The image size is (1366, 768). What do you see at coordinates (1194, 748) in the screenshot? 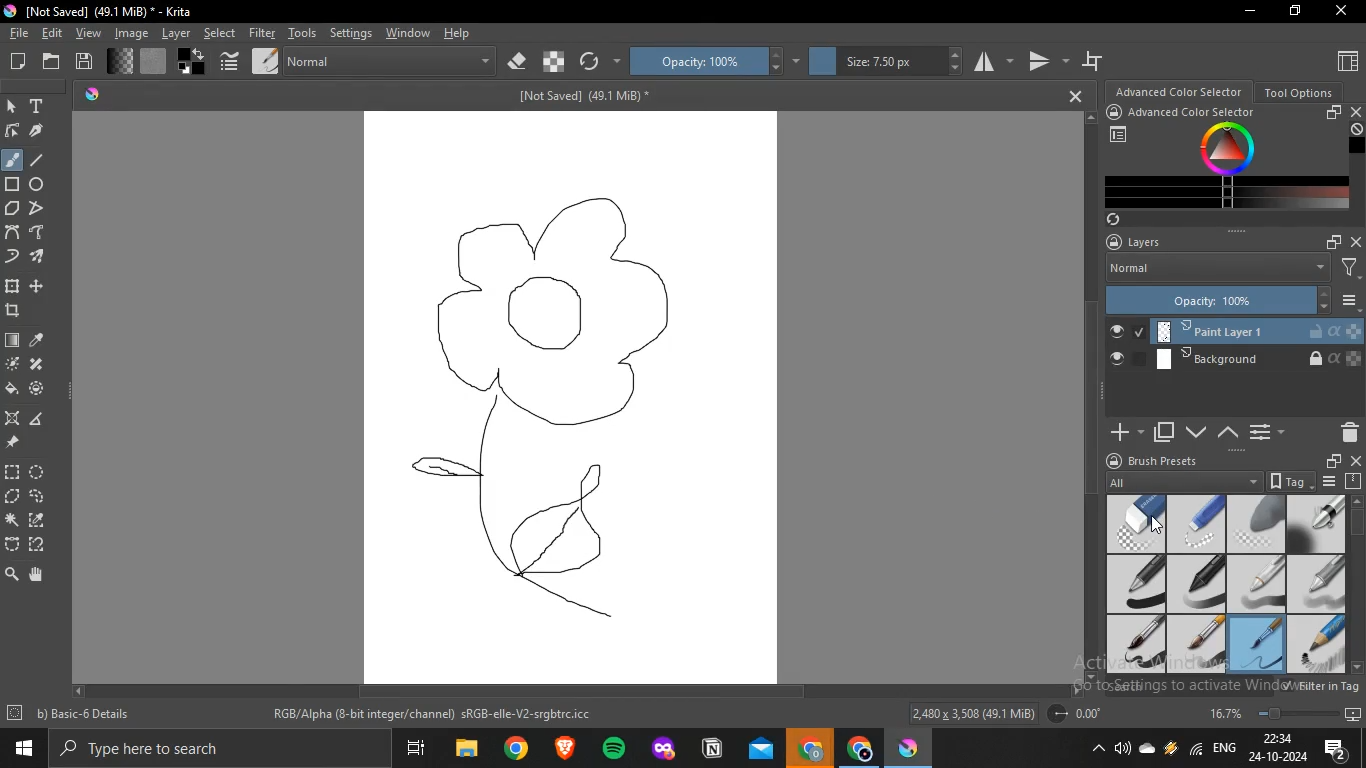
I see `Network` at bounding box center [1194, 748].